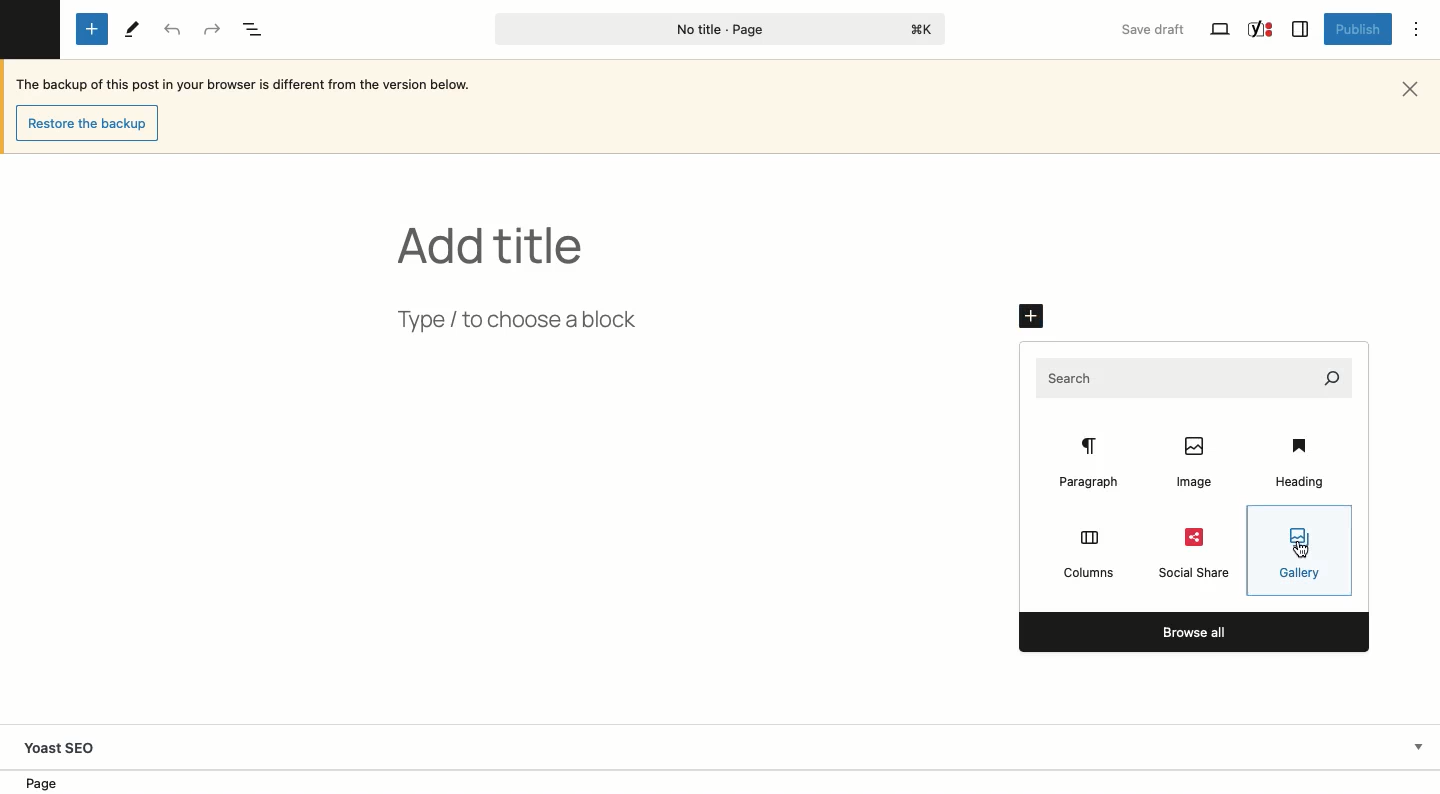 This screenshot has width=1440, height=794. I want to click on Restore the backup, so click(89, 123).